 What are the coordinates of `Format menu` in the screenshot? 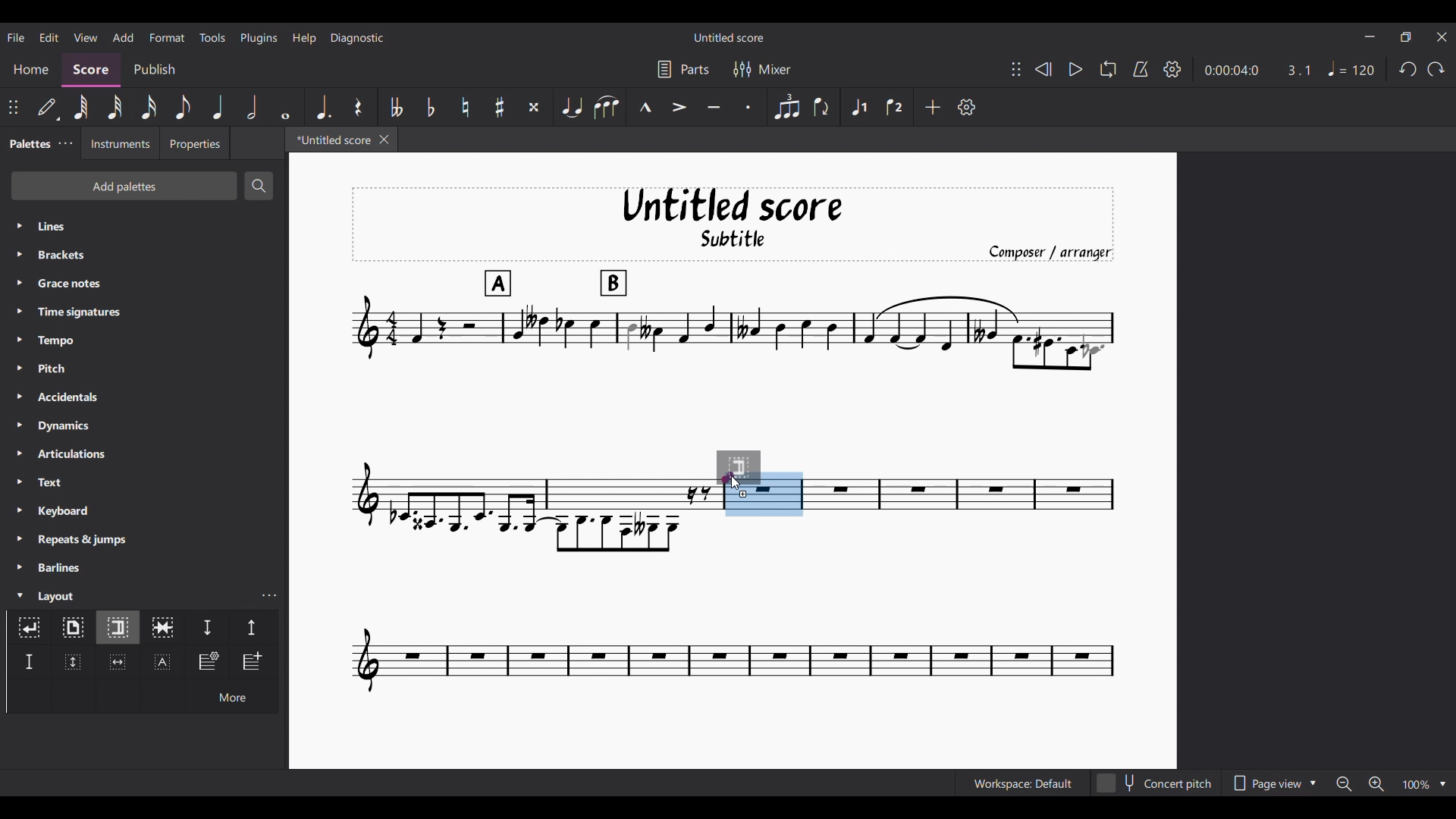 It's located at (168, 37).